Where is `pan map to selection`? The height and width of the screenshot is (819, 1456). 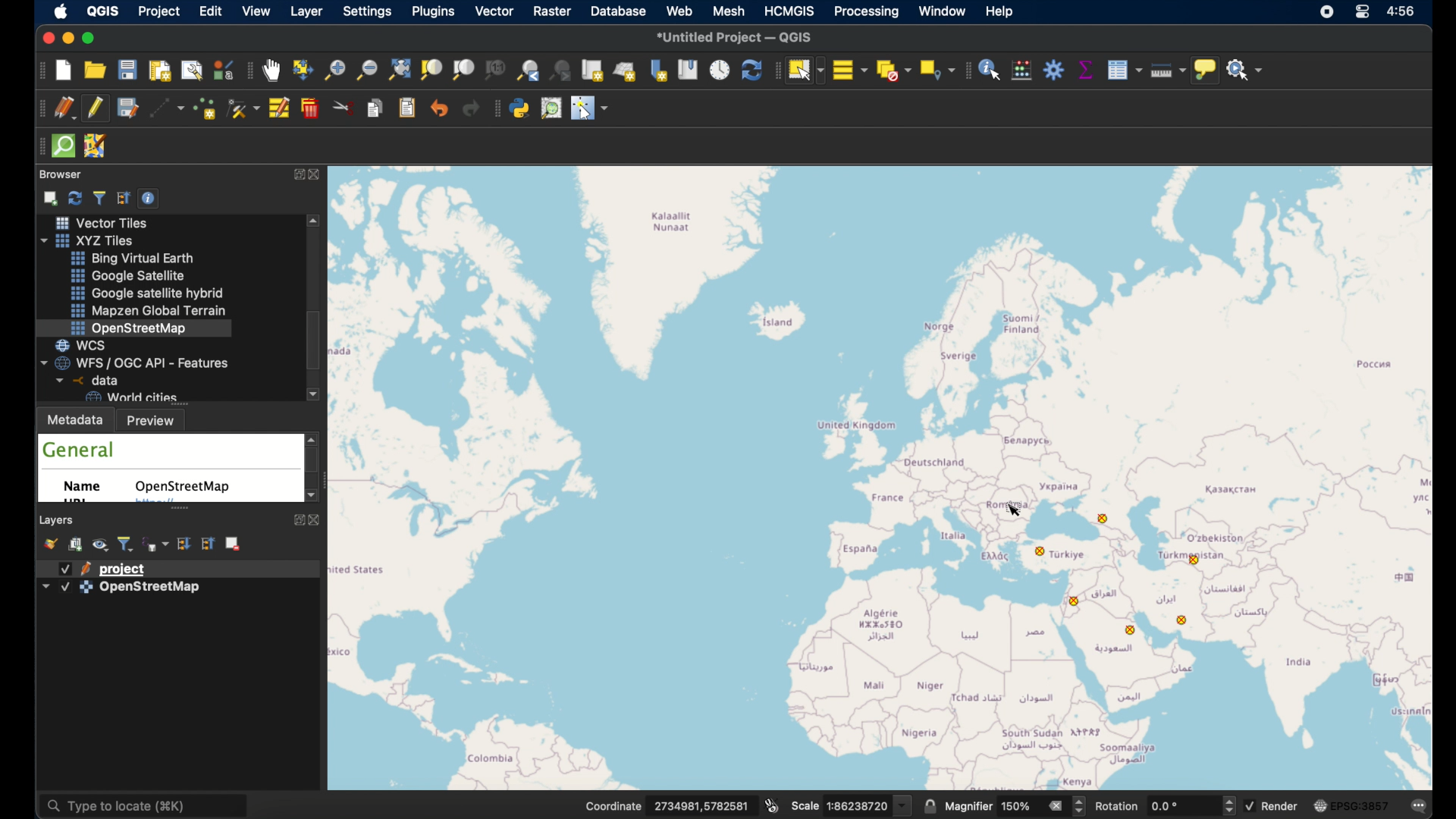 pan map to selection is located at coordinates (303, 69).